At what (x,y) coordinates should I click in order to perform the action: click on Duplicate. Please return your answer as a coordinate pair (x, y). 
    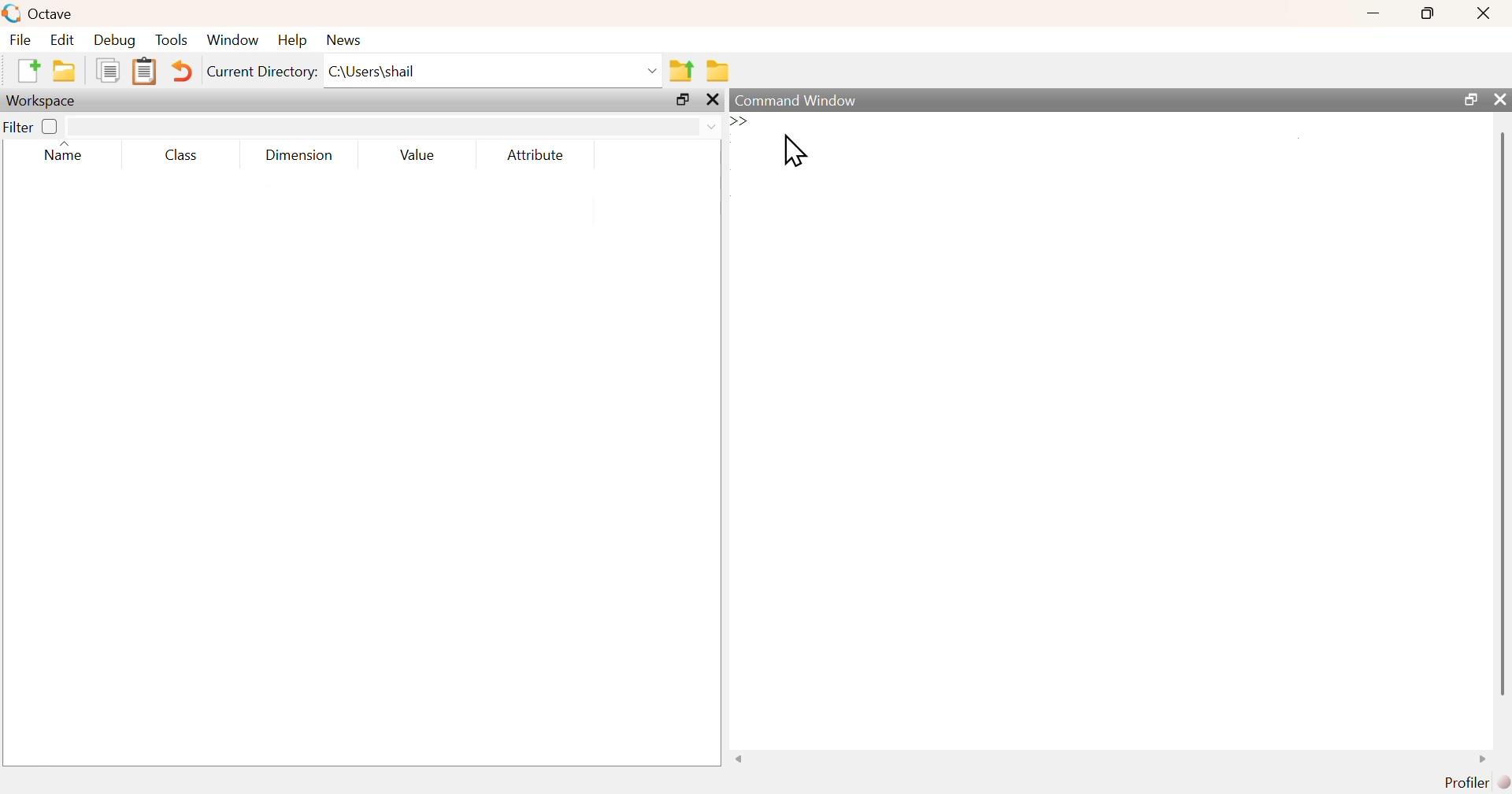
    Looking at the image, I should click on (109, 72).